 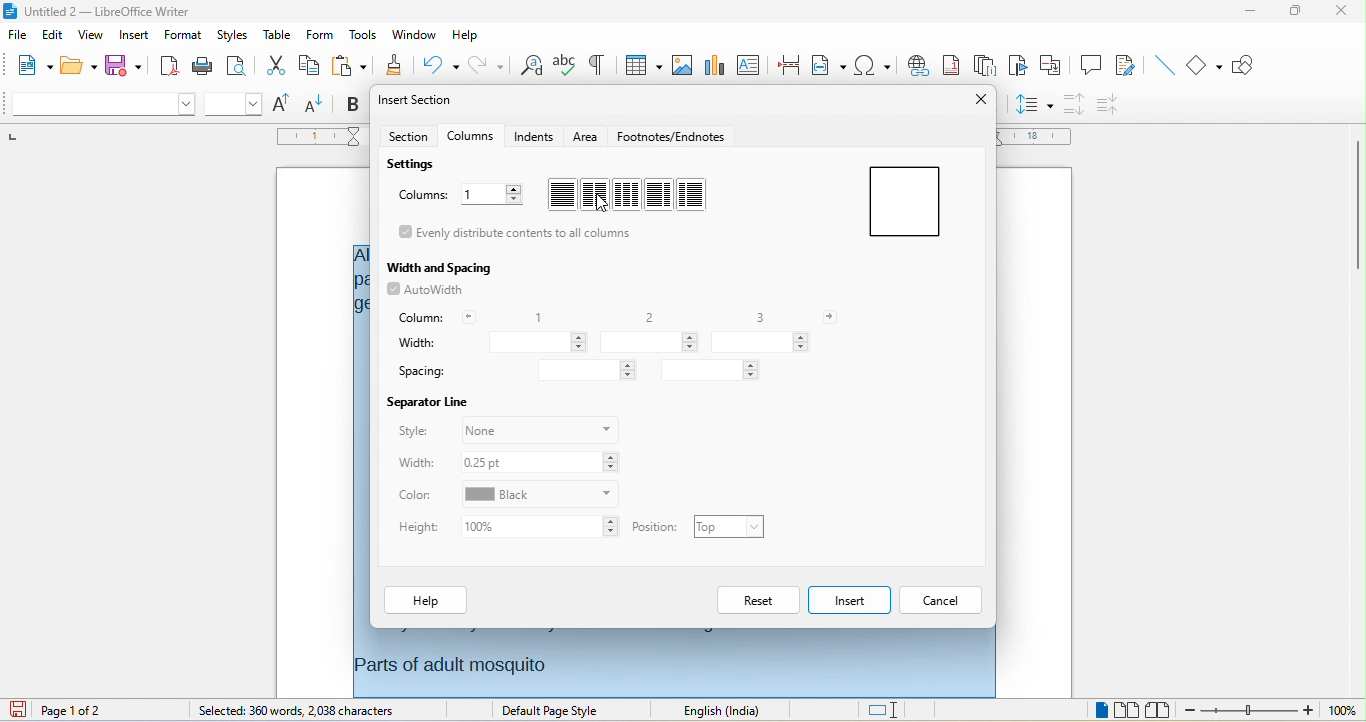 I want to click on table, so click(x=276, y=34).